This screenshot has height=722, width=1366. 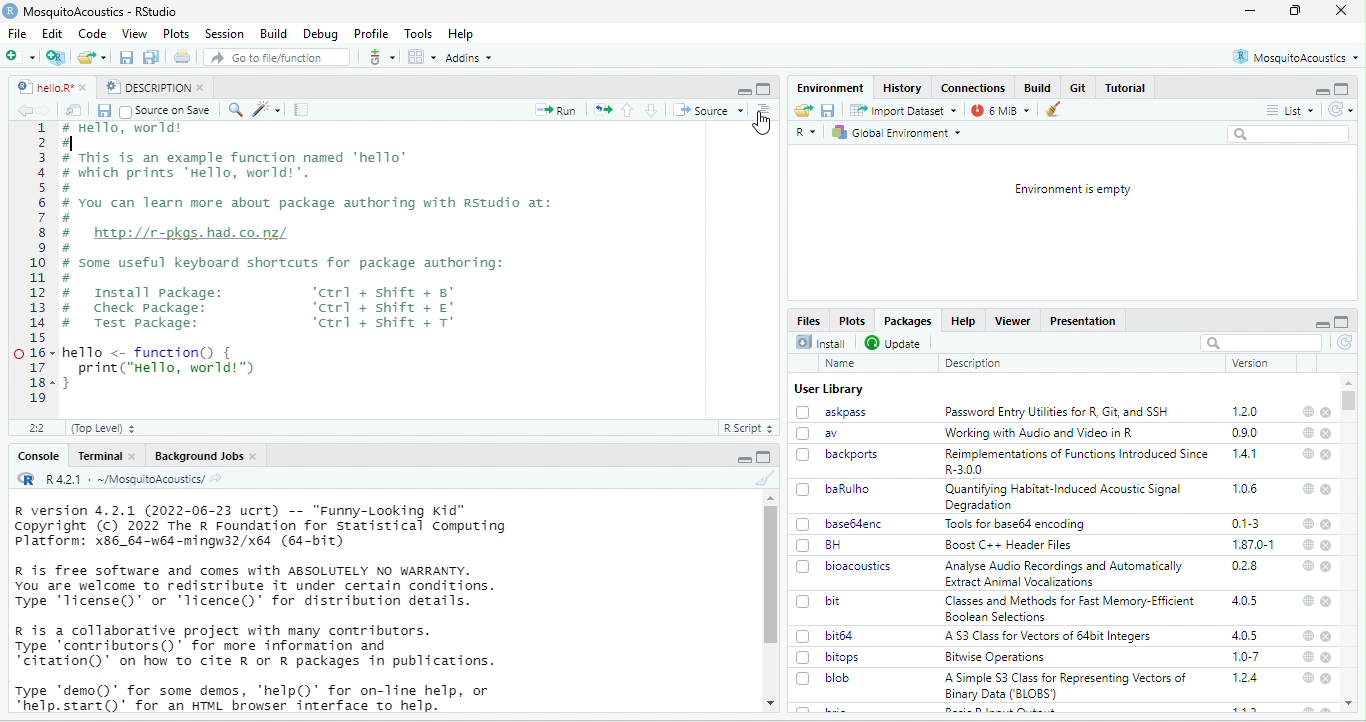 I want to click on help, so click(x=1307, y=489).